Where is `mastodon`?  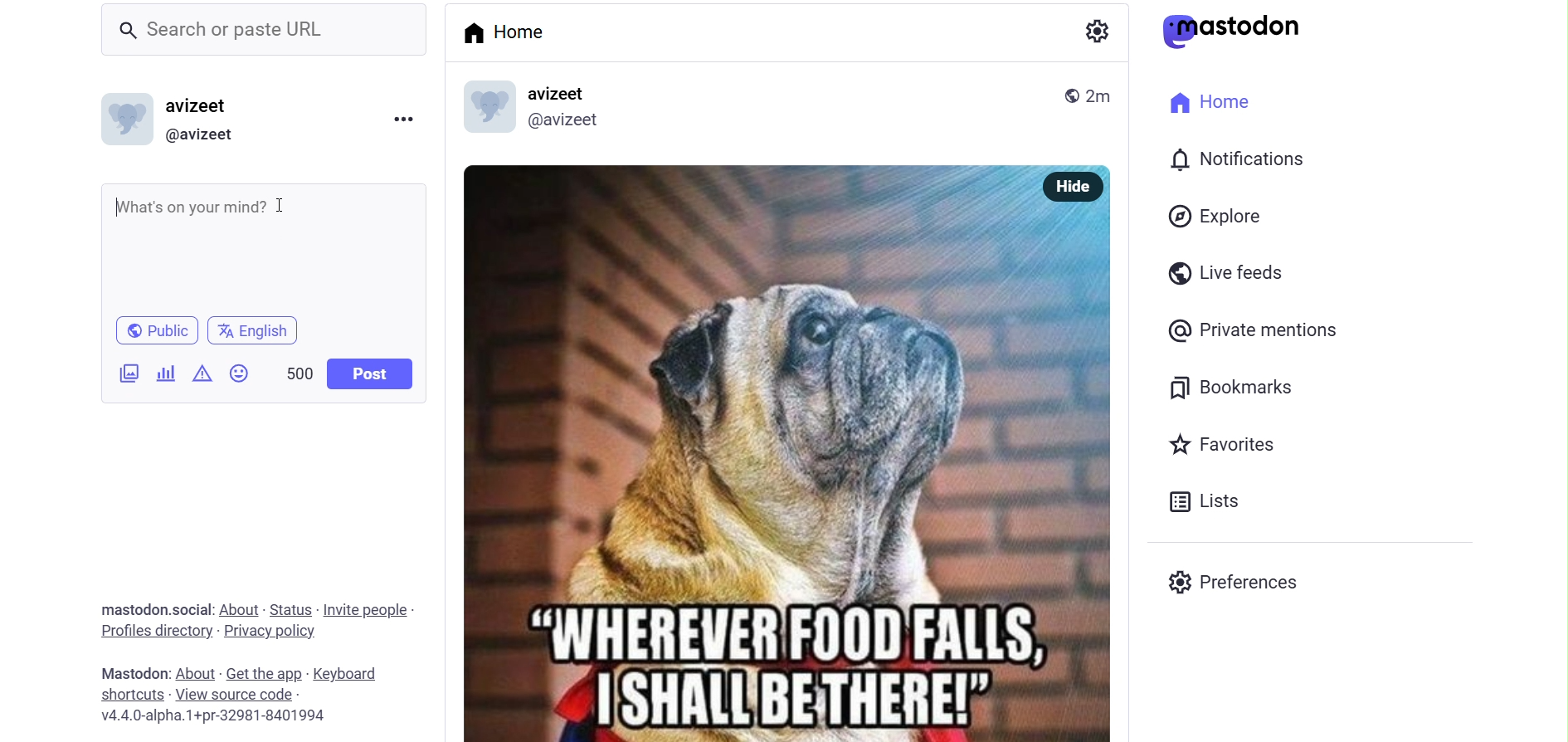 mastodon is located at coordinates (1235, 30).